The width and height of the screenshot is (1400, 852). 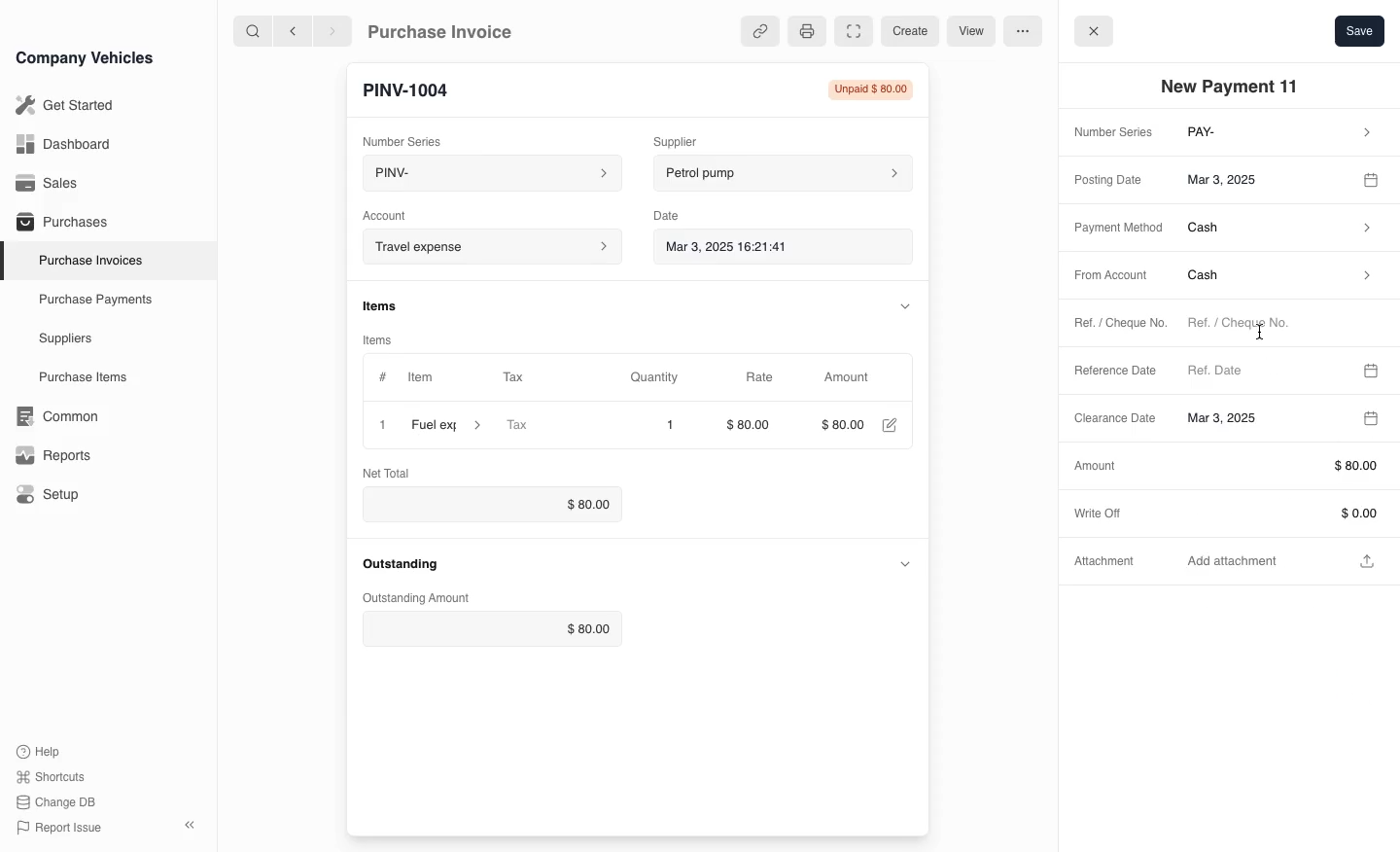 I want to click on print, so click(x=805, y=30).